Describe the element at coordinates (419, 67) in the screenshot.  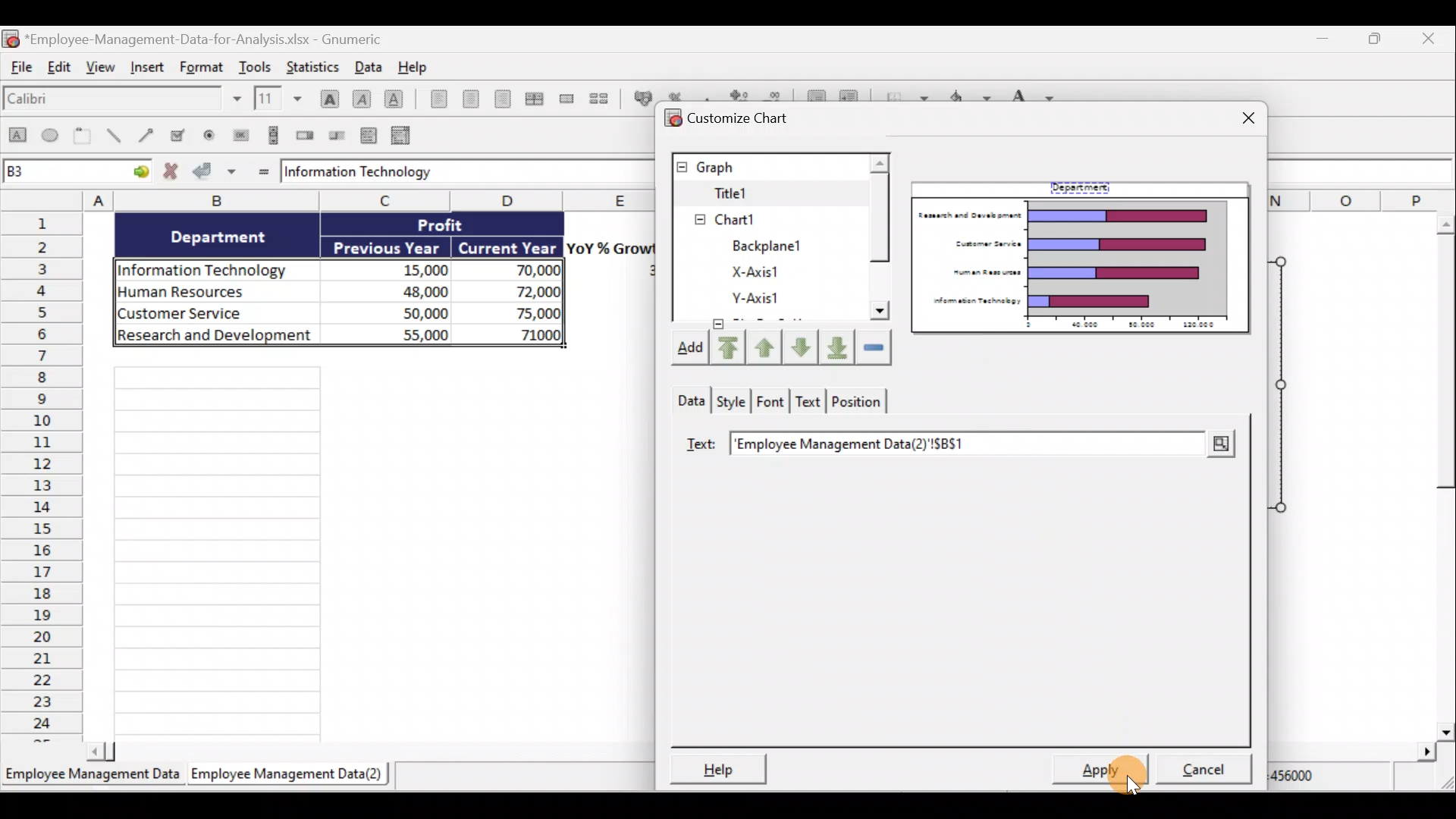
I see `Help` at that location.